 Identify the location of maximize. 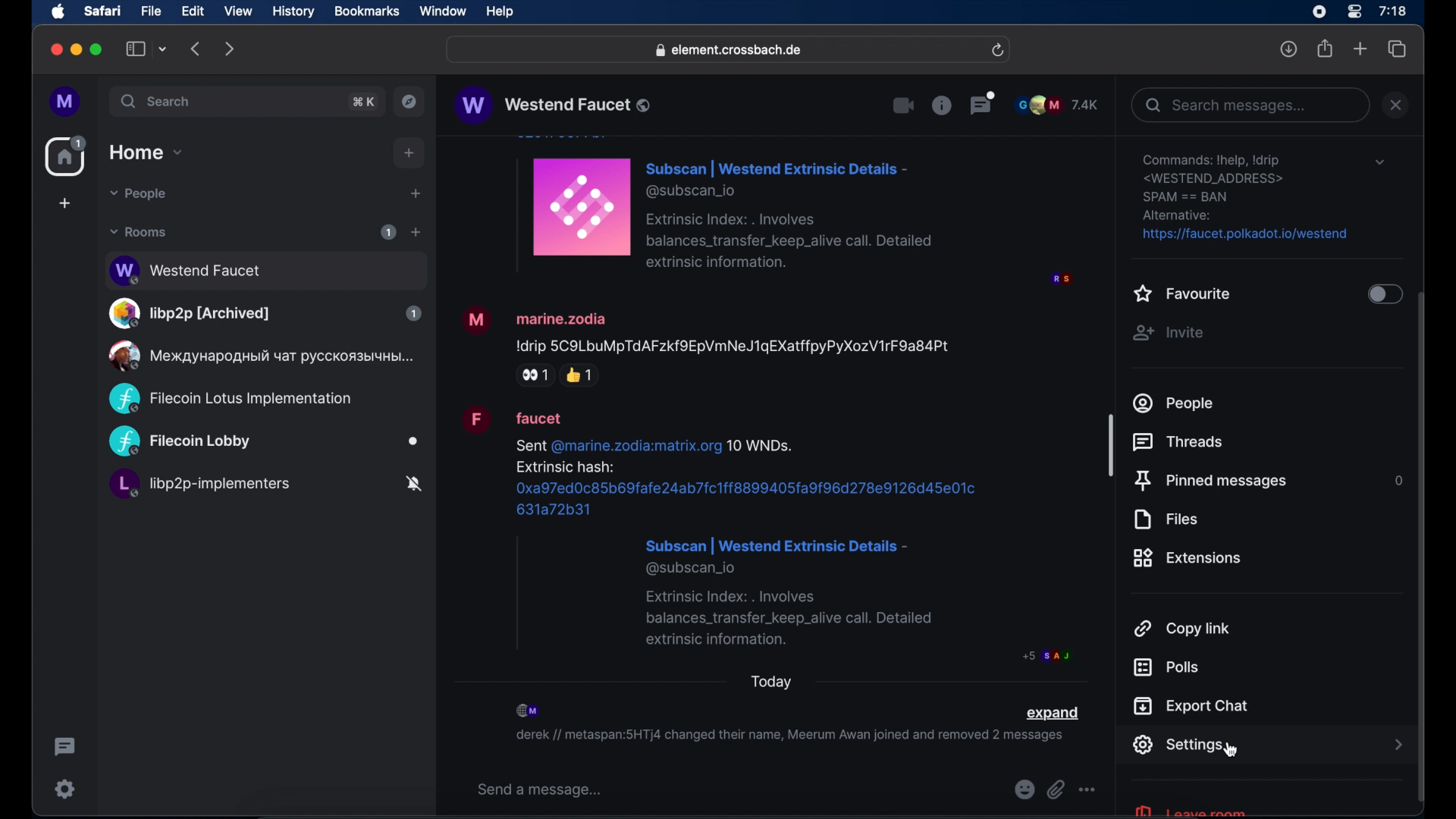
(98, 49).